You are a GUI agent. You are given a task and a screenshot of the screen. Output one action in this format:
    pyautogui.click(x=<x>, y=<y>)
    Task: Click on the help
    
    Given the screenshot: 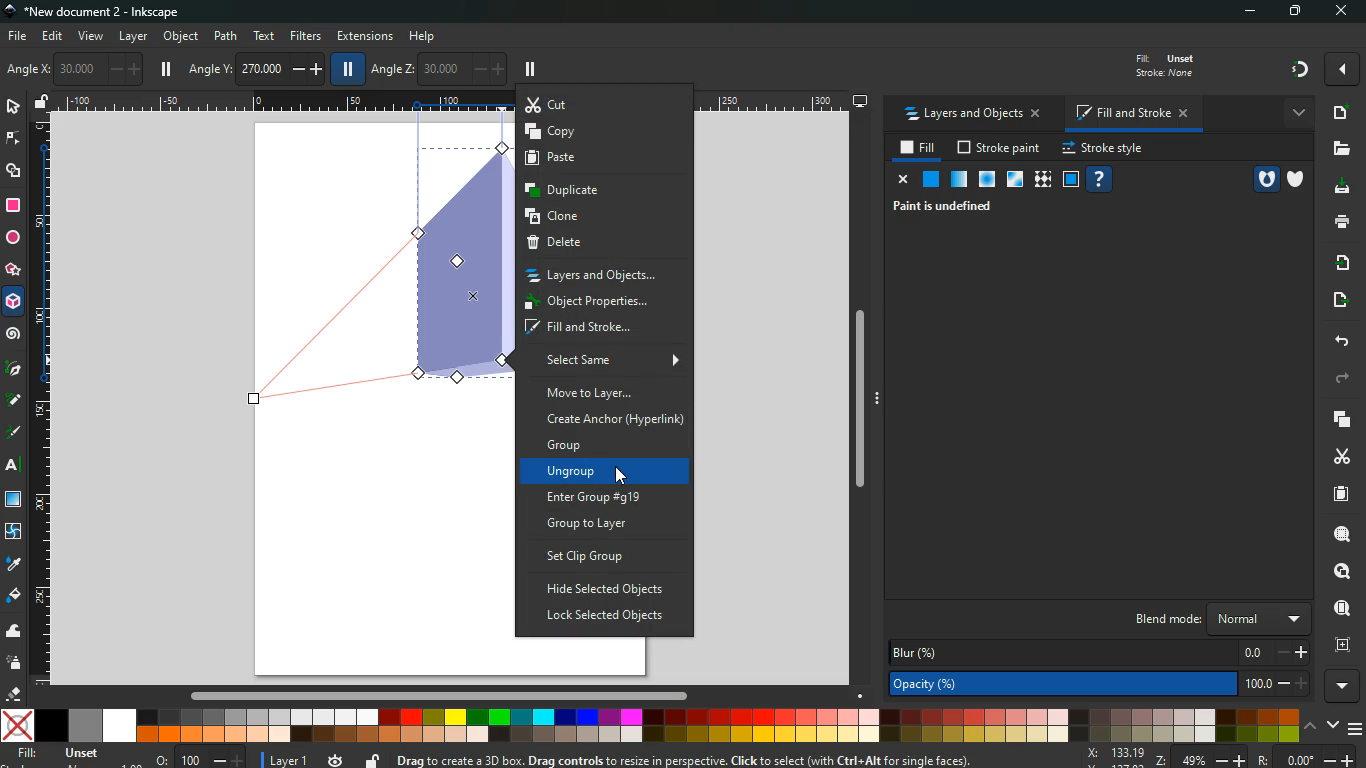 What is the action you would take?
    pyautogui.click(x=1098, y=180)
    